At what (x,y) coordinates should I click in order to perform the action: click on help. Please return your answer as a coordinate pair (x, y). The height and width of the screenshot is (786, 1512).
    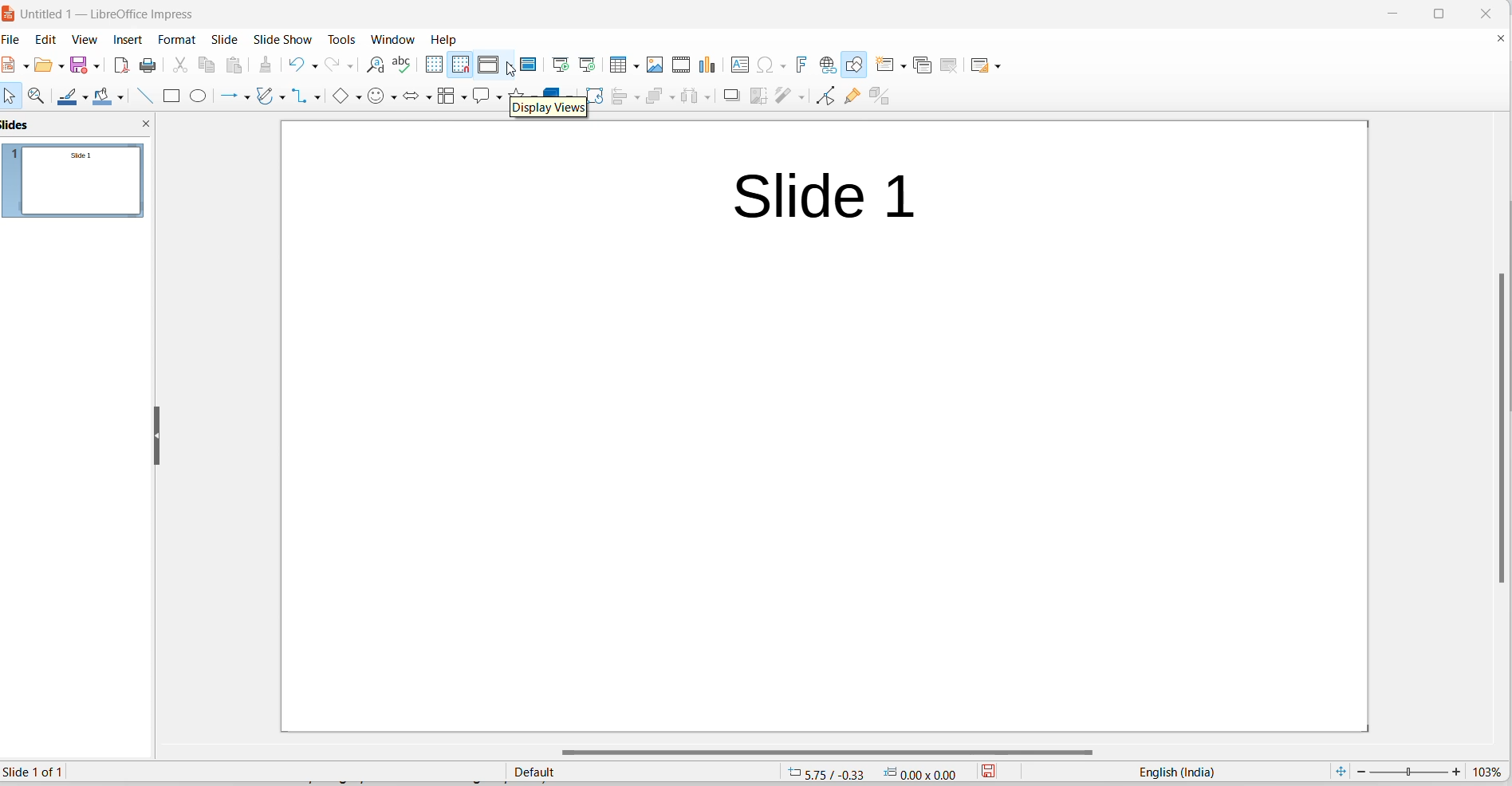
    Looking at the image, I should click on (445, 39).